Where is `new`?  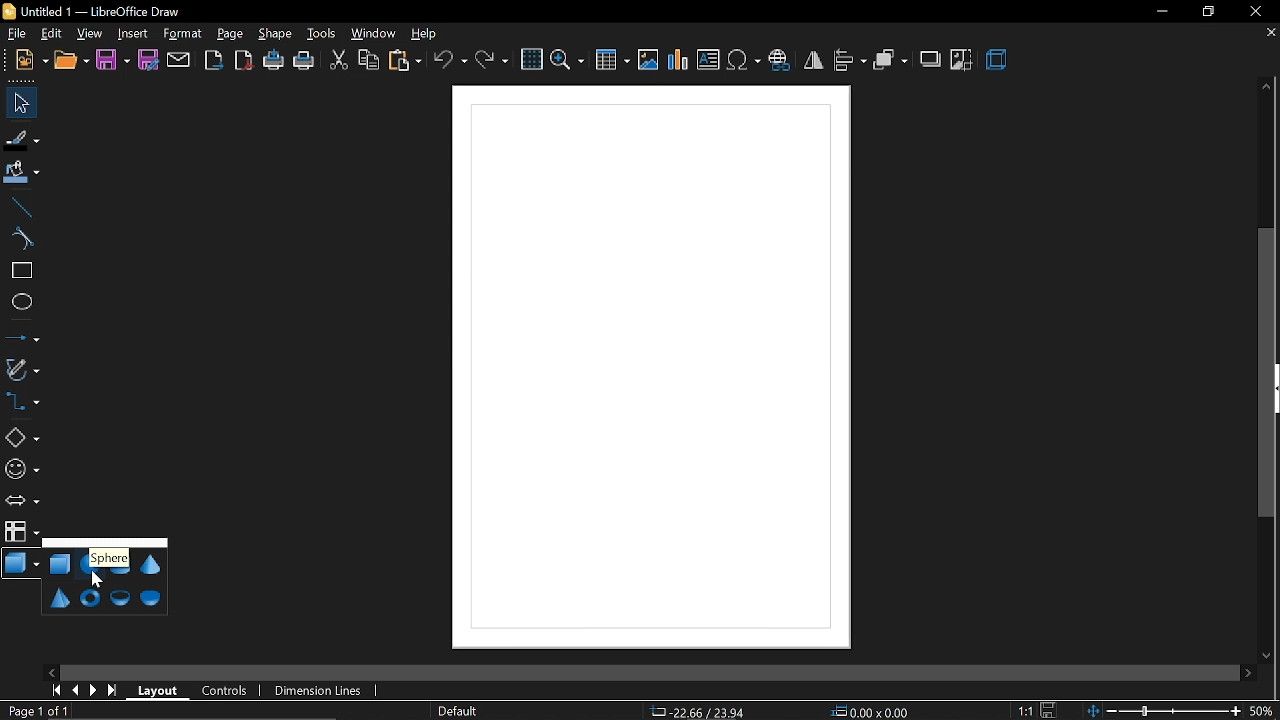
new is located at coordinates (30, 60).